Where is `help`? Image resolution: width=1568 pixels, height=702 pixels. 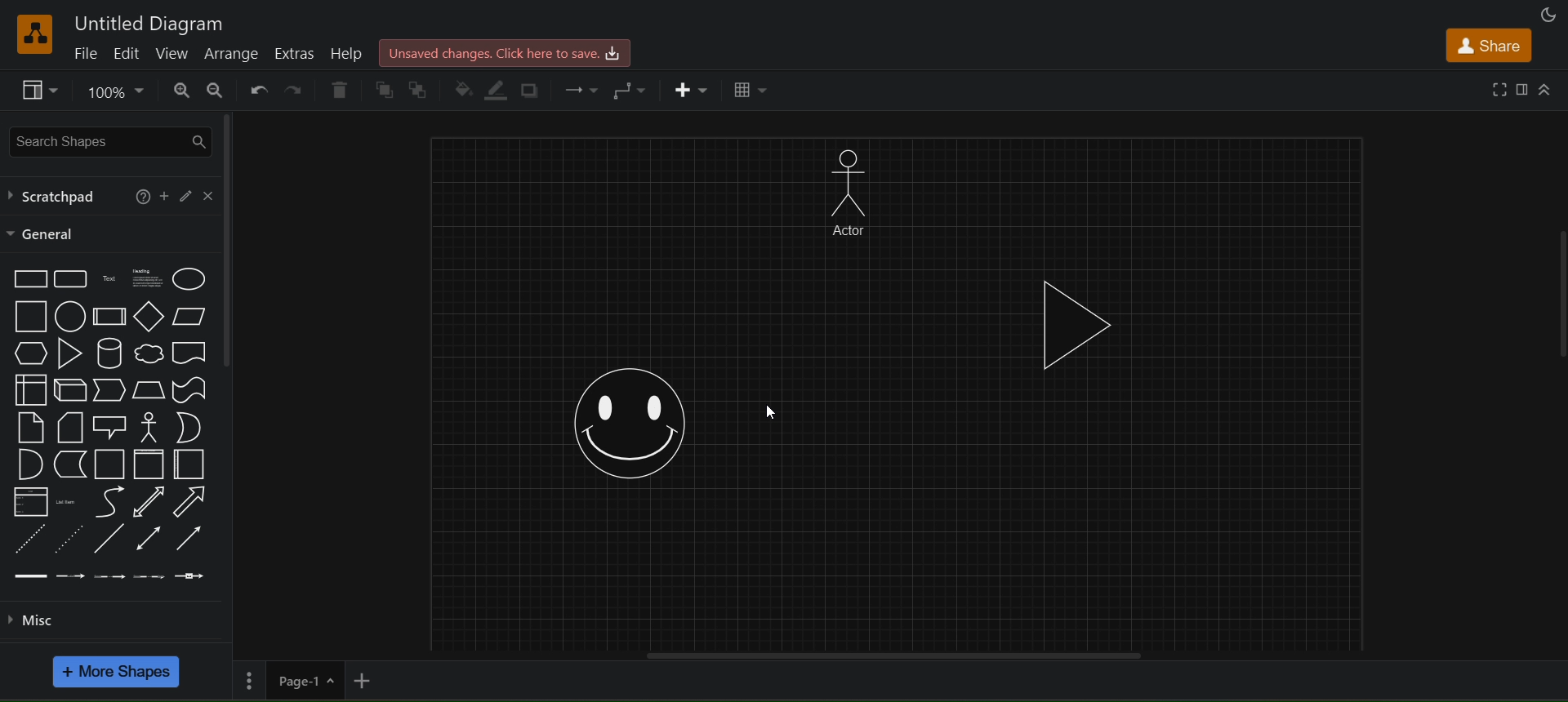 help is located at coordinates (349, 53).